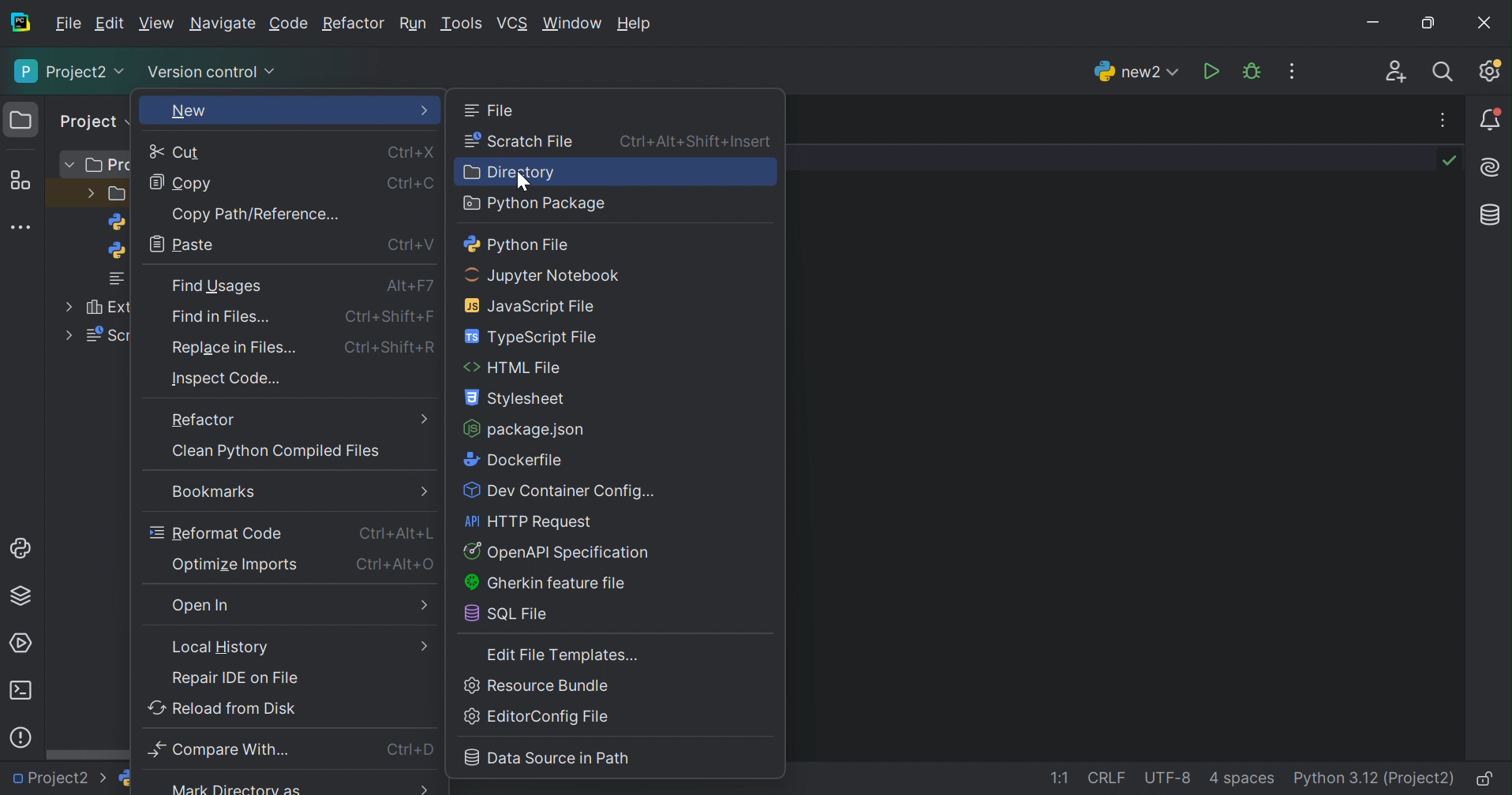 The image size is (1512, 795). I want to click on Ctrl+Shift+R, so click(390, 348).